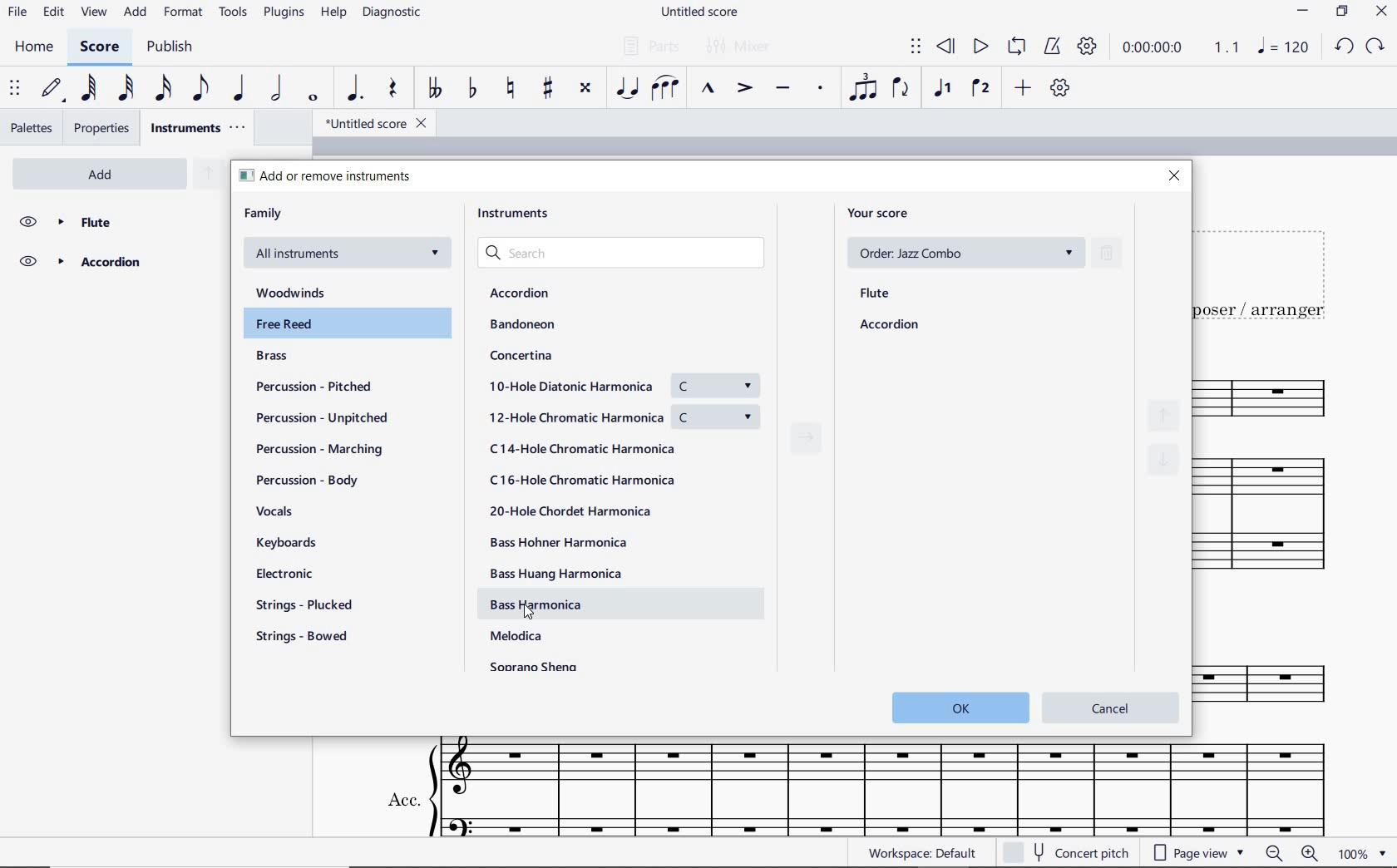 Image resolution: width=1397 pixels, height=868 pixels. I want to click on toggle flat, so click(471, 90).